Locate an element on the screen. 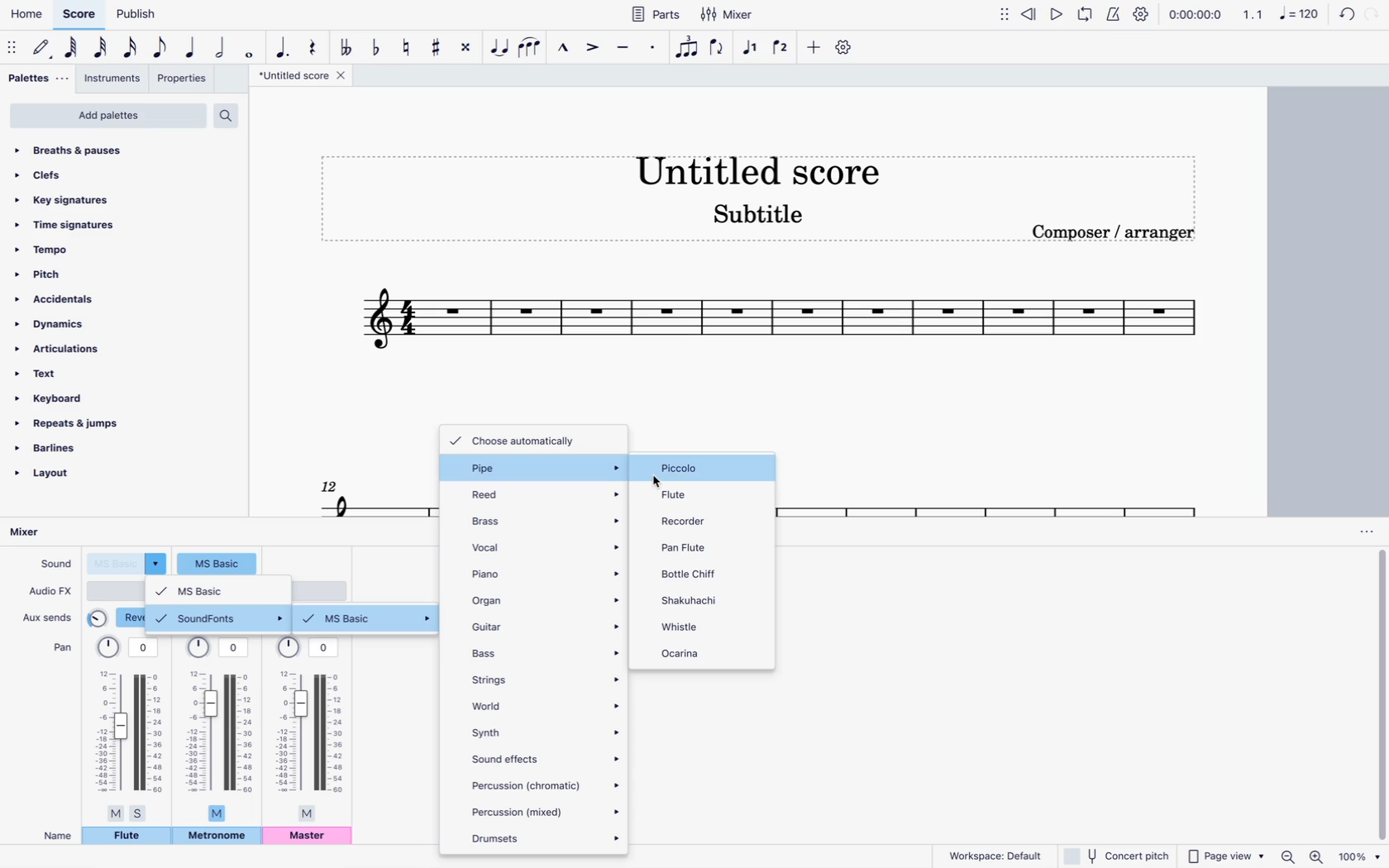 Image resolution: width=1389 pixels, height=868 pixels. palettes is located at coordinates (39, 81).